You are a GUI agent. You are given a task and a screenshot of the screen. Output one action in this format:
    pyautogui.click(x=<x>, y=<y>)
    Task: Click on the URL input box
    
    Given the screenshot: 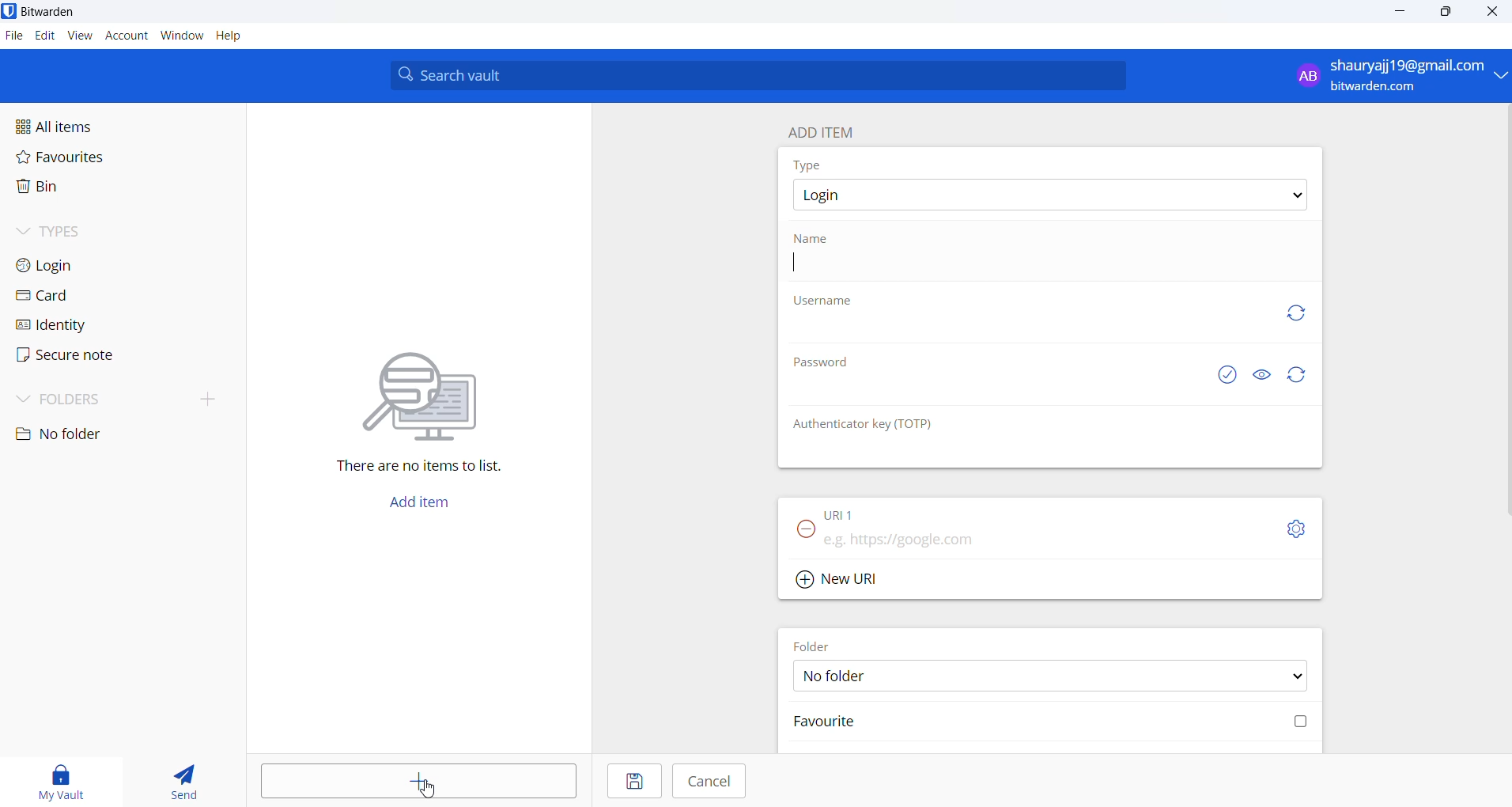 What is the action you would take?
    pyautogui.click(x=1038, y=538)
    